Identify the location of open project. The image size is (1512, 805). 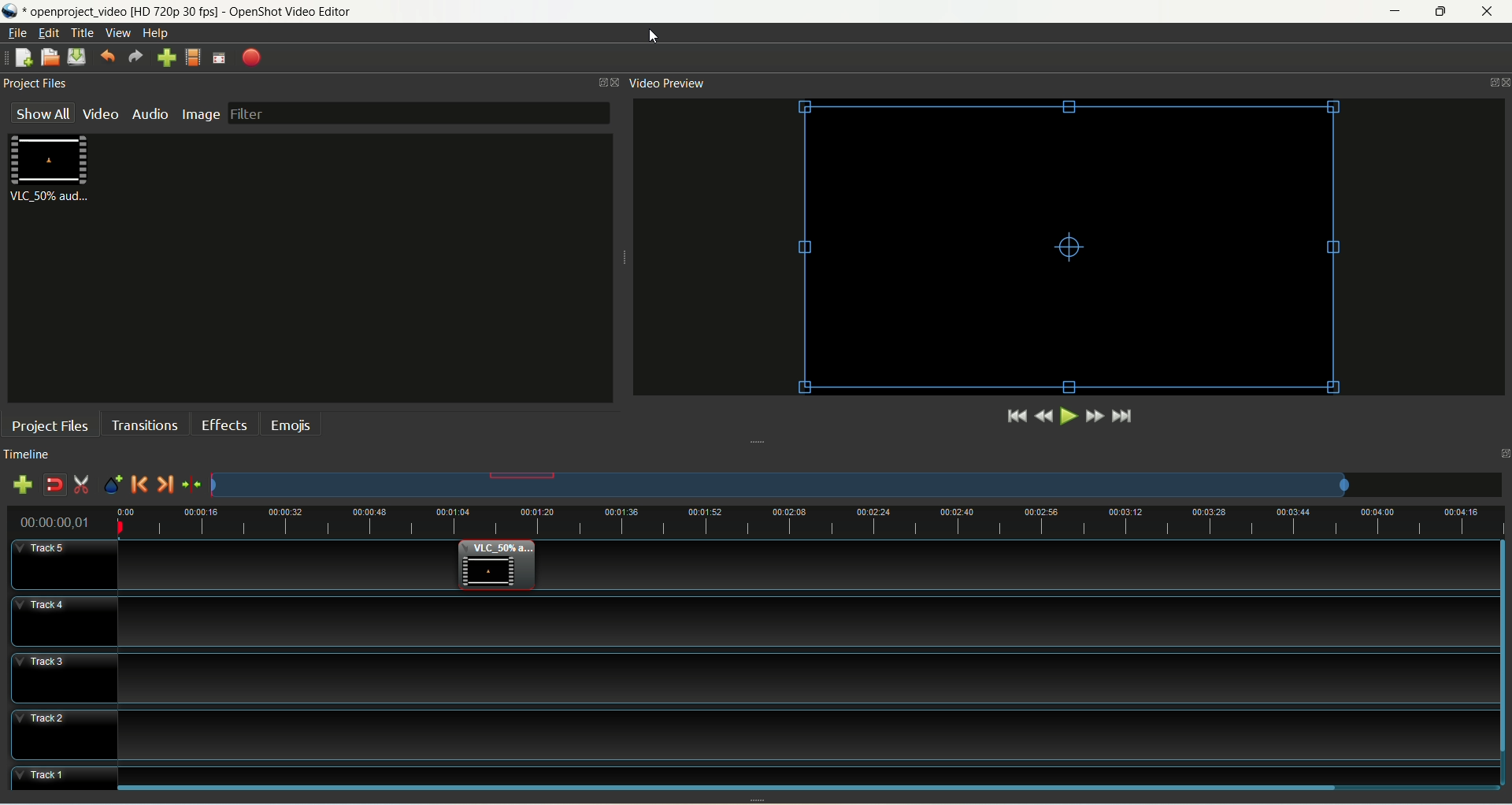
(50, 57).